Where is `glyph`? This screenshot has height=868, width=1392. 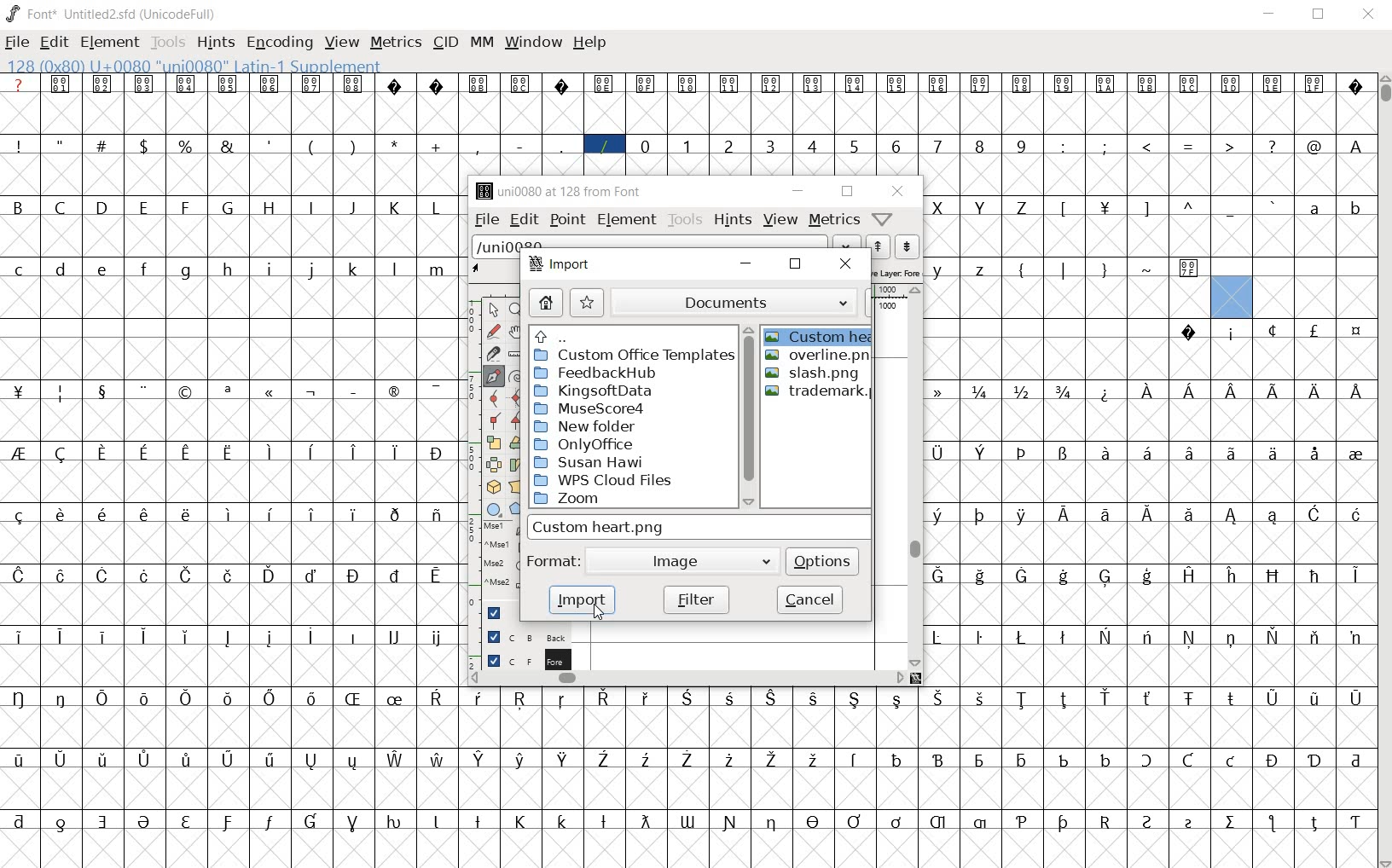 glyph is located at coordinates (561, 700).